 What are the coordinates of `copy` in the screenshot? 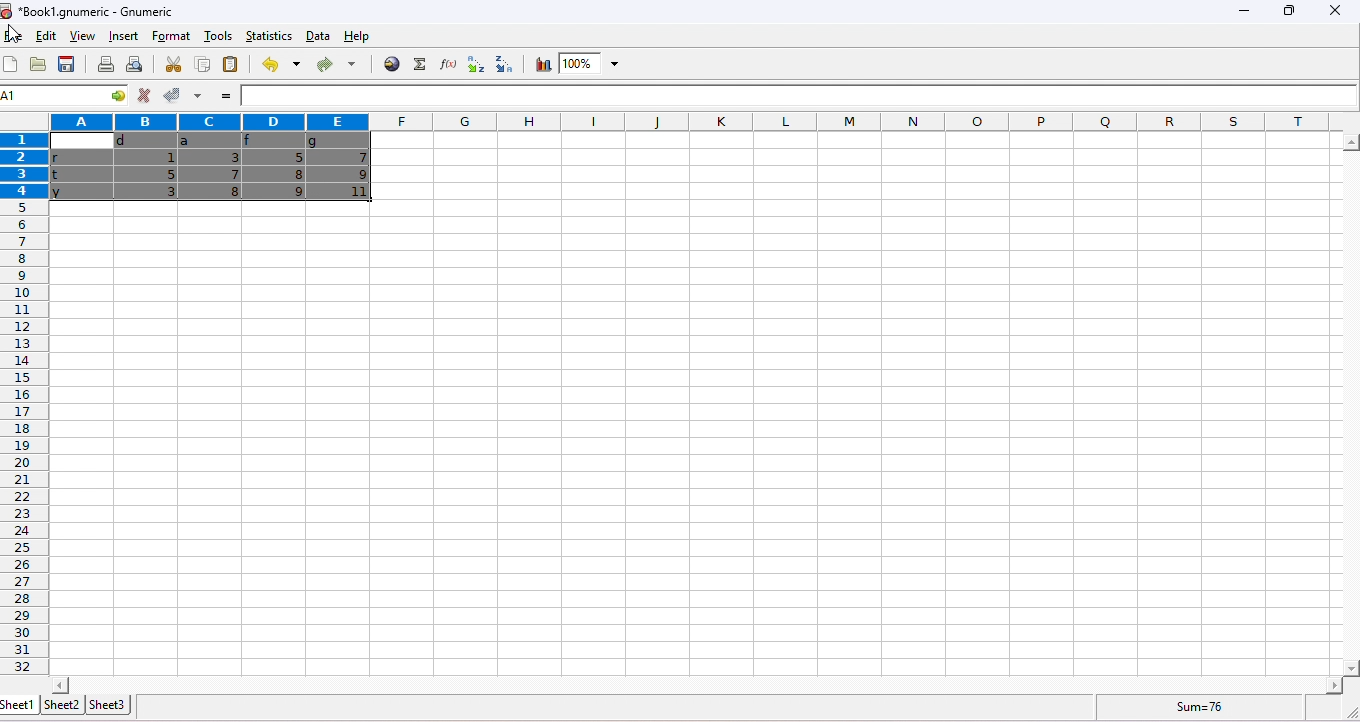 It's located at (201, 64).